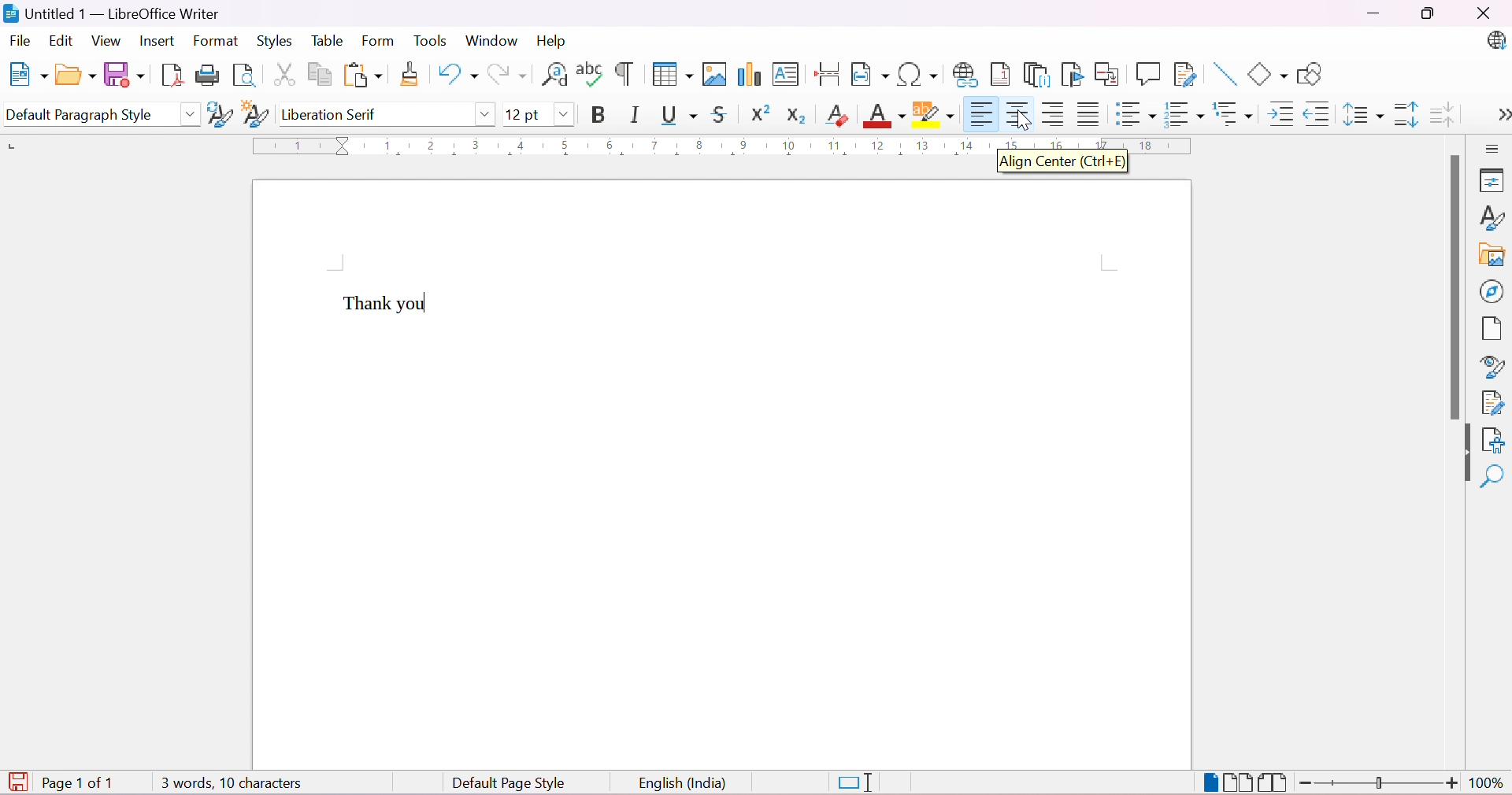 This screenshot has width=1512, height=795. What do you see at coordinates (1211, 782) in the screenshot?
I see `Single-page View` at bounding box center [1211, 782].